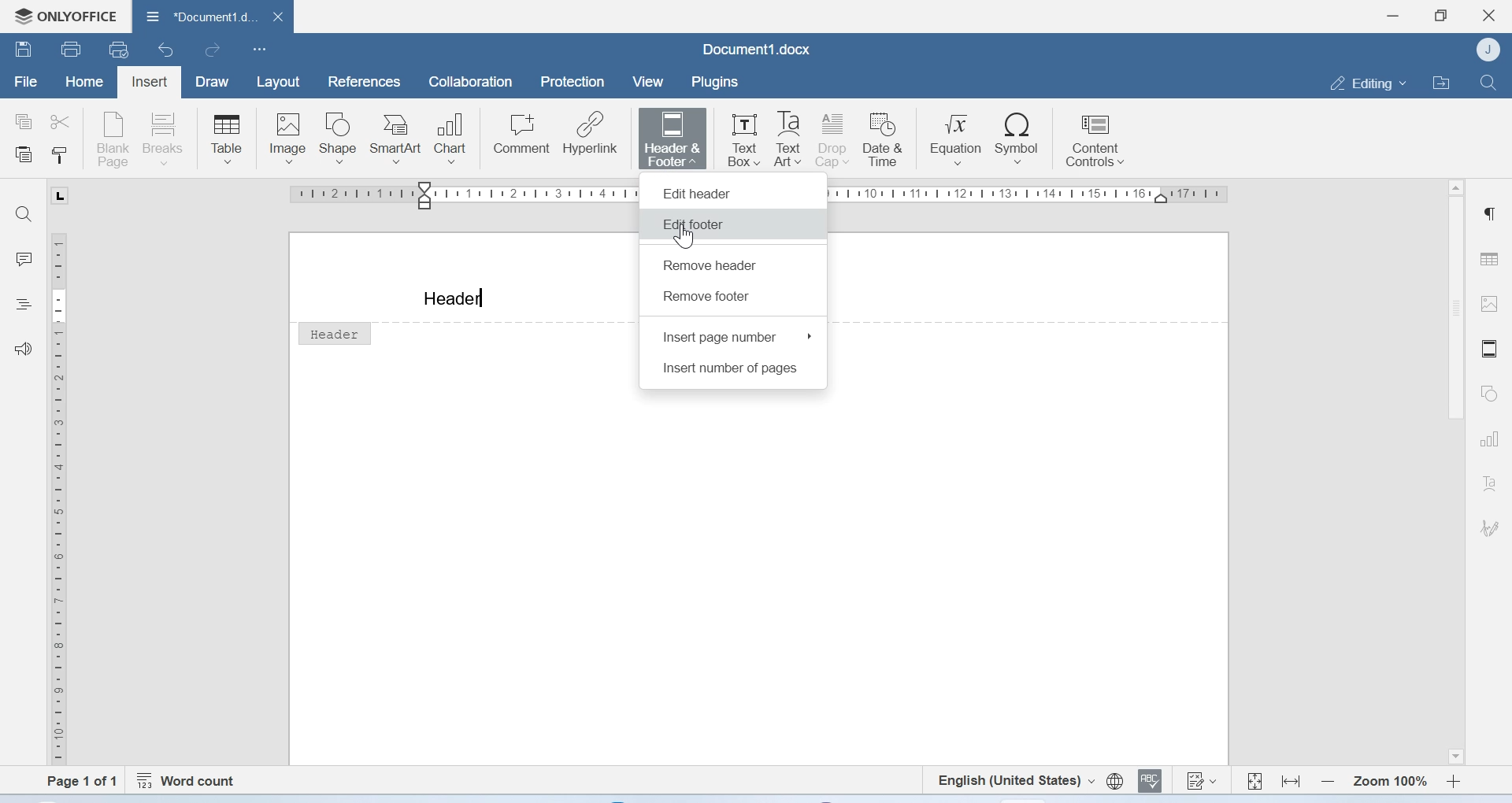  What do you see at coordinates (1489, 16) in the screenshot?
I see `Close` at bounding box center [1489, 16].